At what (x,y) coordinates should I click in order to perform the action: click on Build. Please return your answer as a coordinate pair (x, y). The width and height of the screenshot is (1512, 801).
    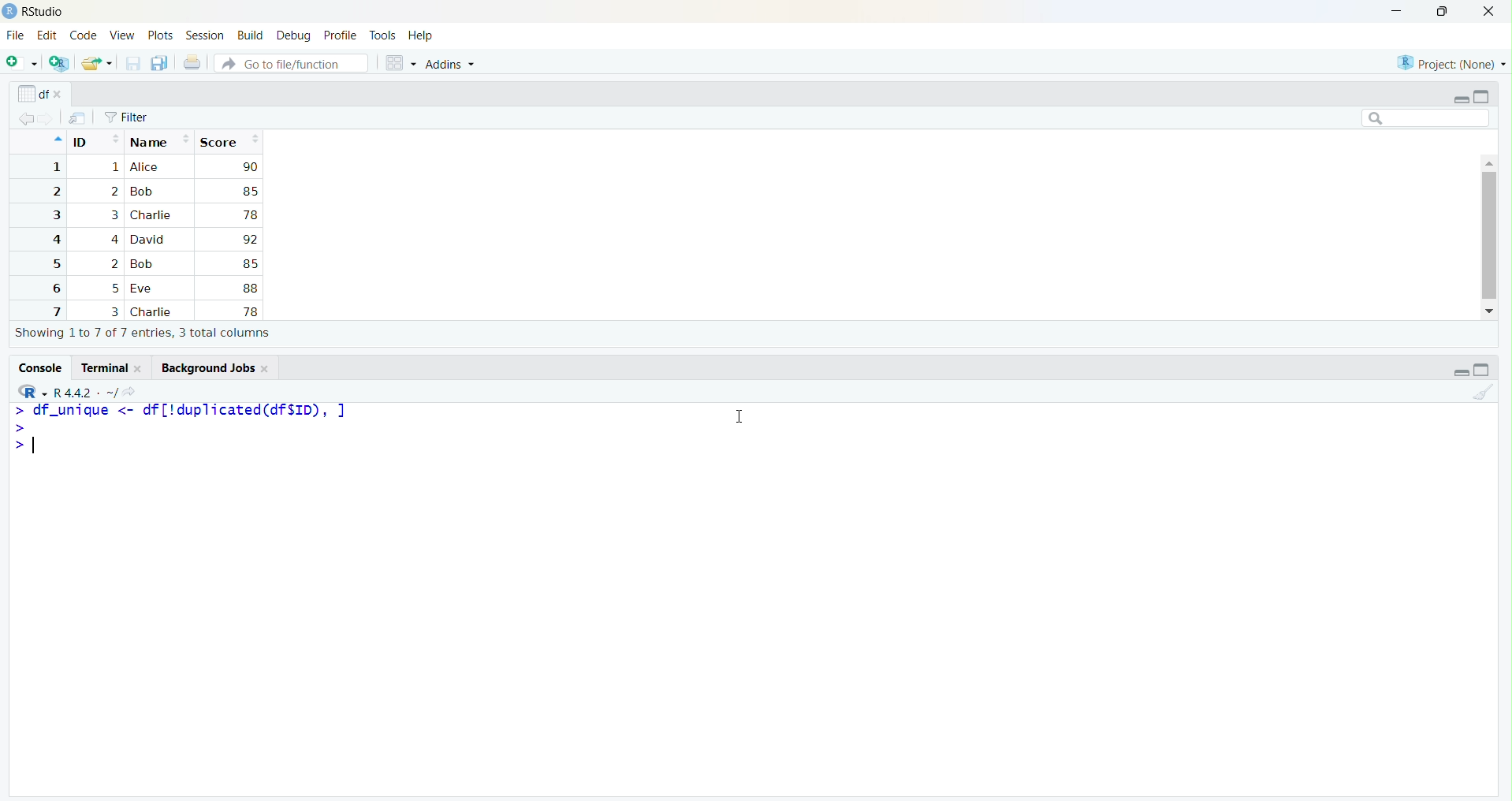
    Looking at the image, I should click on (251, 35).